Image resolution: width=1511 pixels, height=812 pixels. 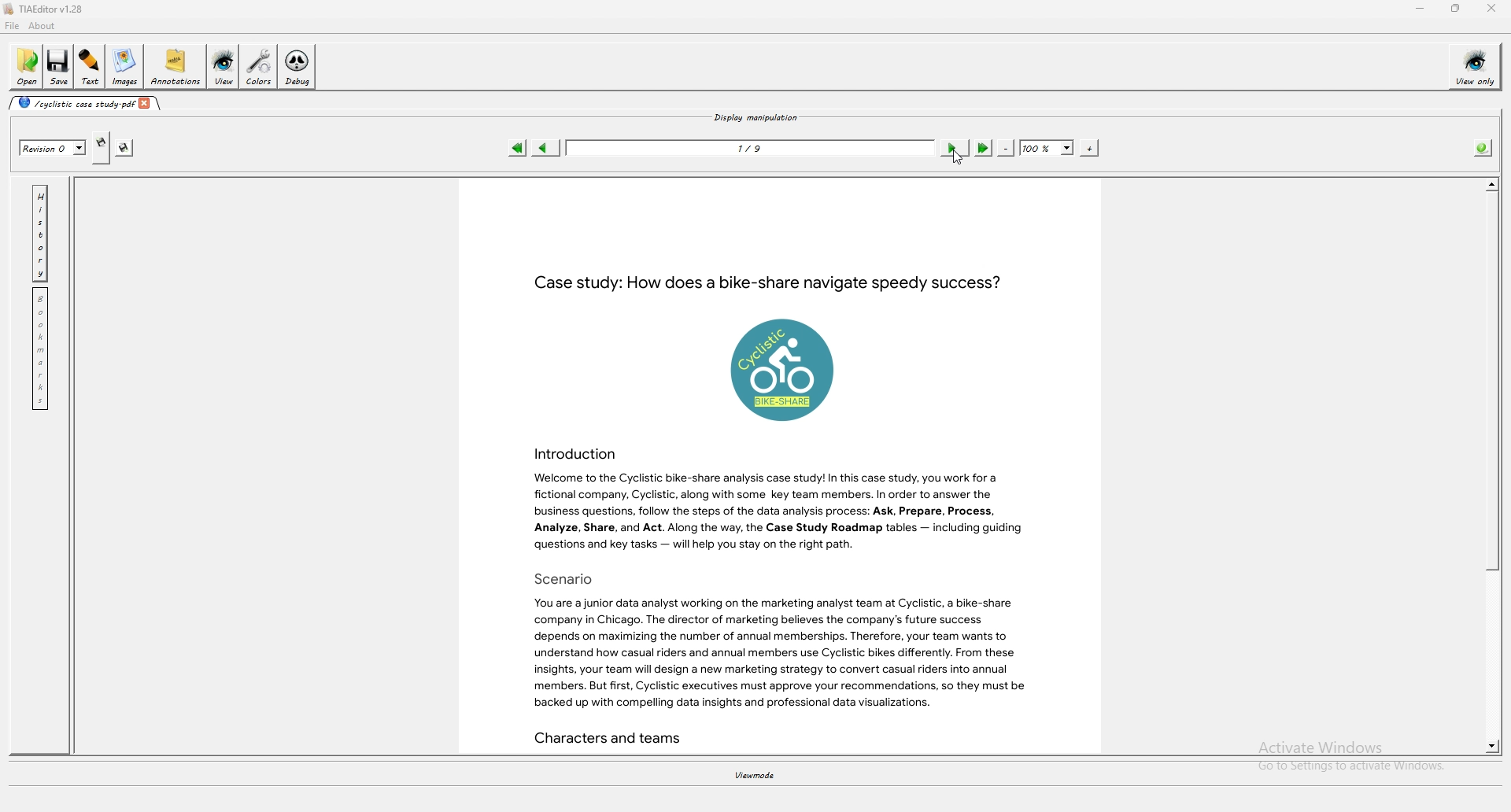 What do you see at coordinates (1047, 148) in the screenshot?
I see `zoom percentage` at bounding box center [1047, 148].